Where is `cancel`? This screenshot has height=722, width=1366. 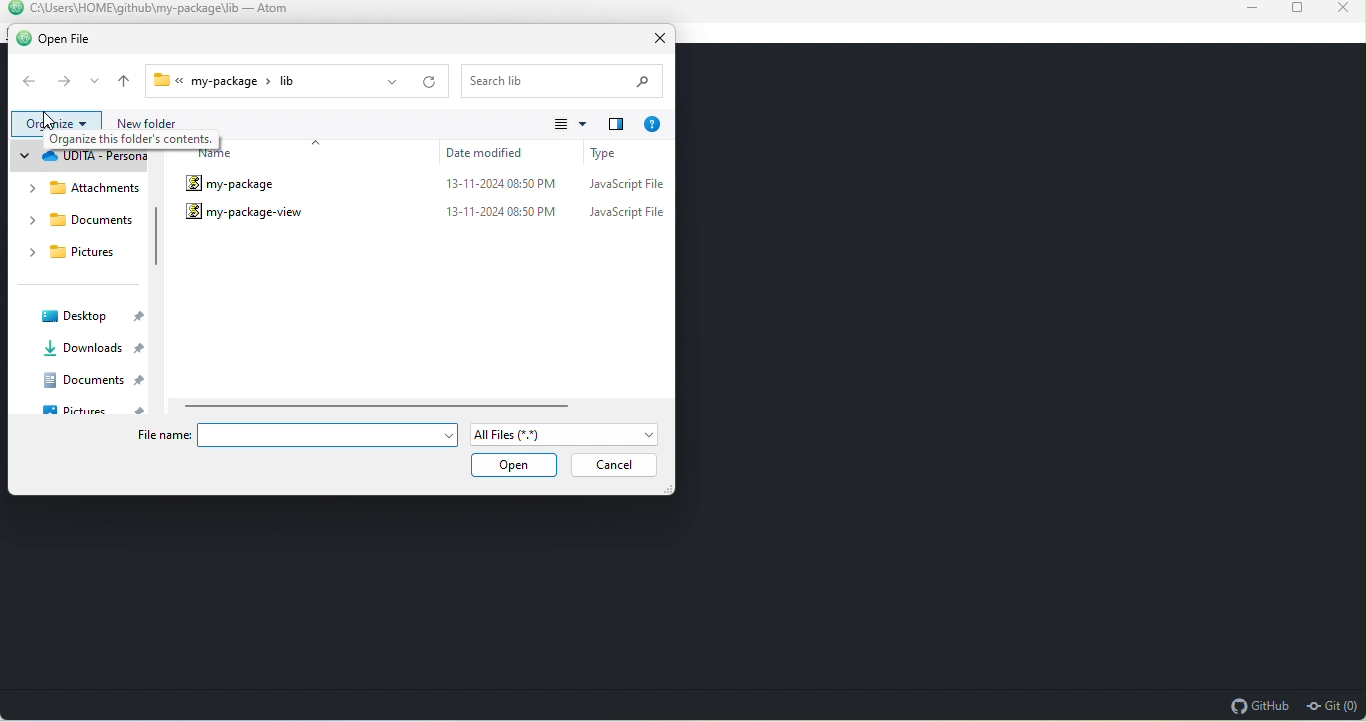 cancel is located at coordinates (611, 466).